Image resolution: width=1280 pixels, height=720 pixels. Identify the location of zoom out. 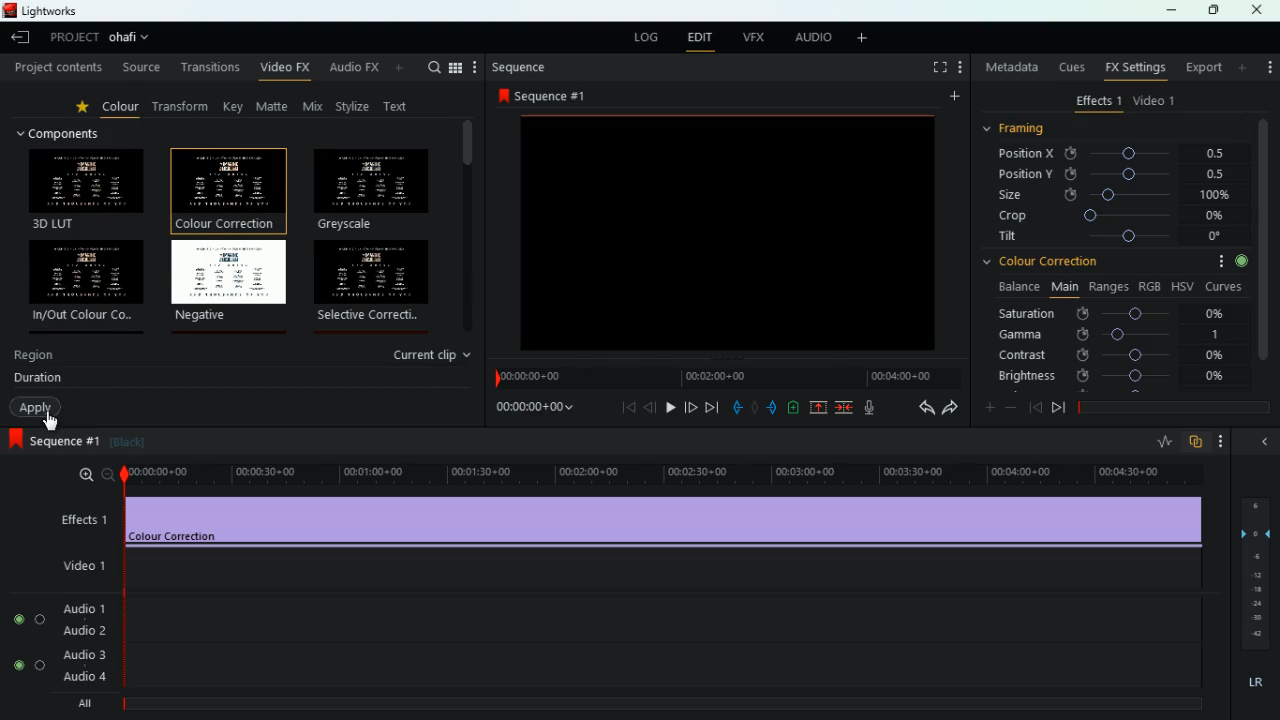
(103, 474).